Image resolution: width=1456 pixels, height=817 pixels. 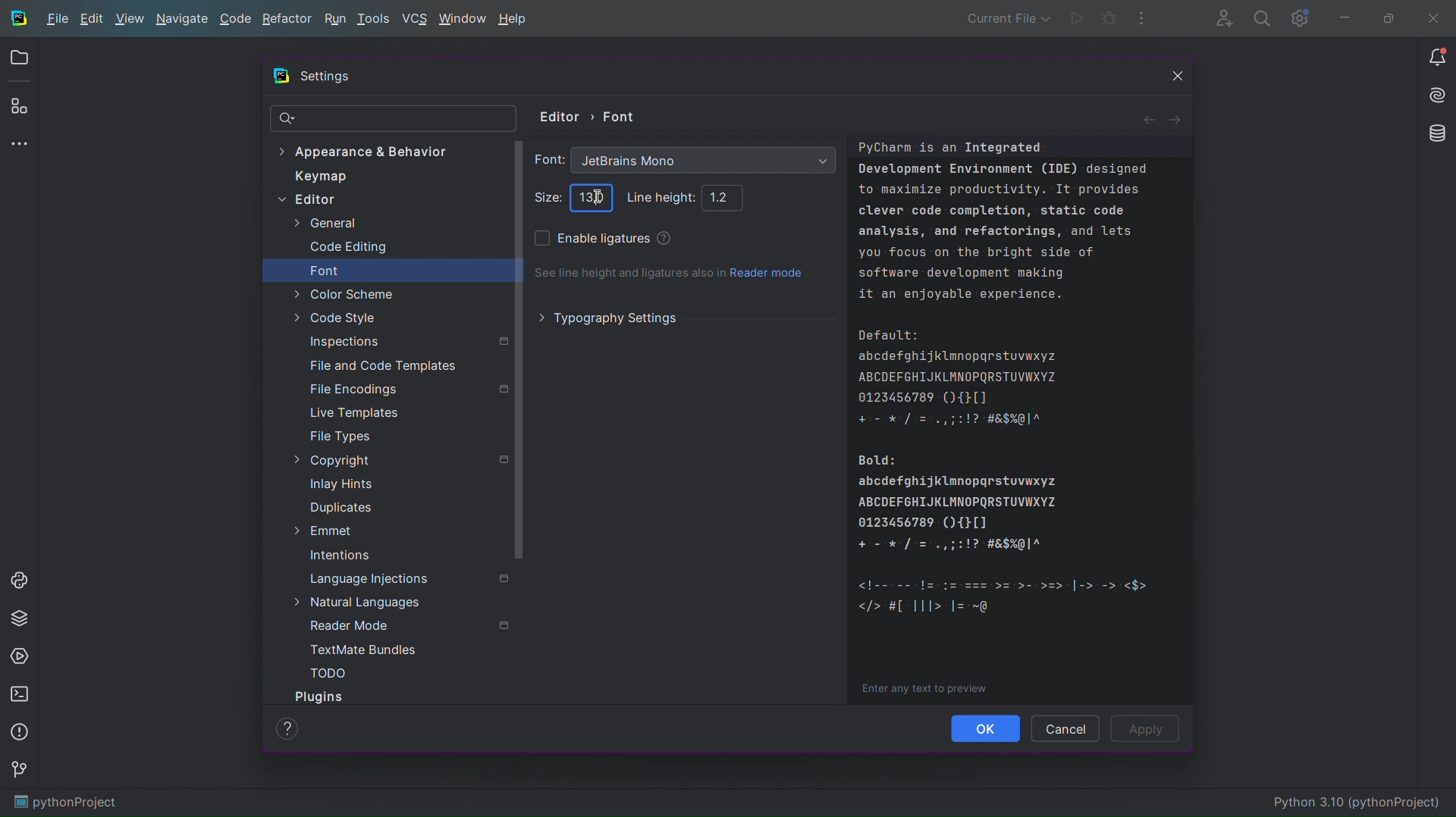 What do you see at coordinates (723, 196) in the screenshot?
I see `Line height: 1.2` at bounding box center [723, 196].